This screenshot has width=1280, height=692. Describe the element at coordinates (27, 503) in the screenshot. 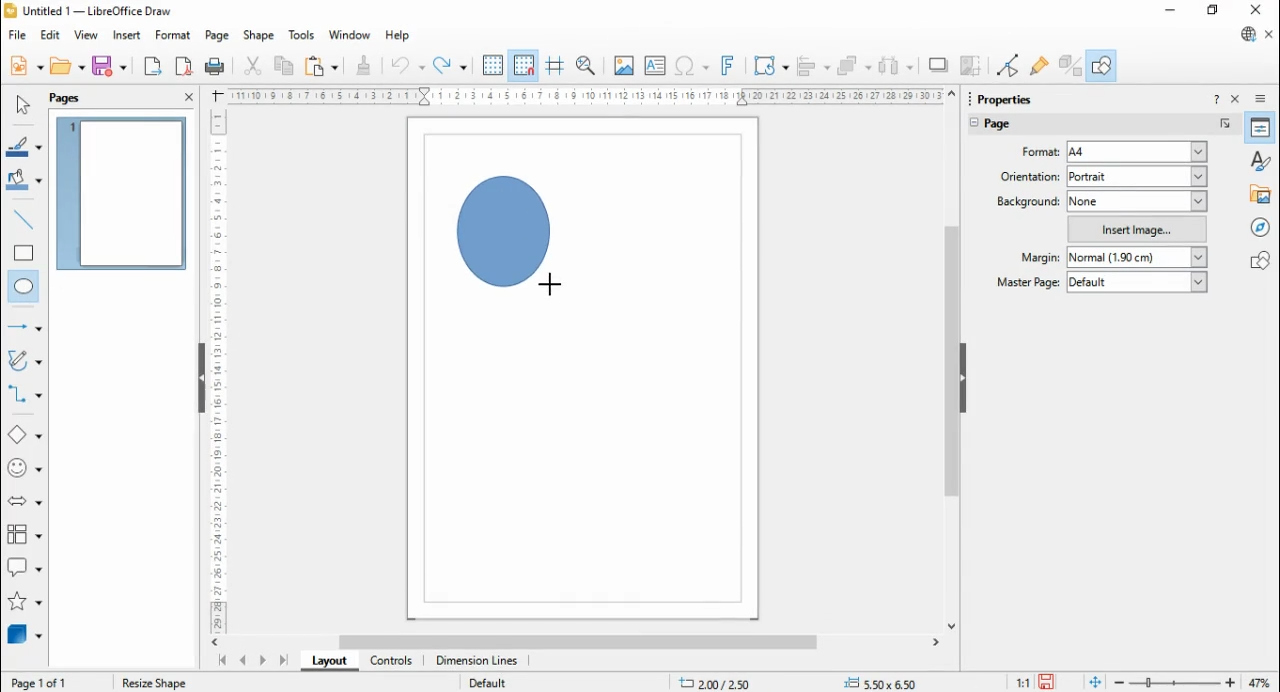

I see `block arrows` at that location.